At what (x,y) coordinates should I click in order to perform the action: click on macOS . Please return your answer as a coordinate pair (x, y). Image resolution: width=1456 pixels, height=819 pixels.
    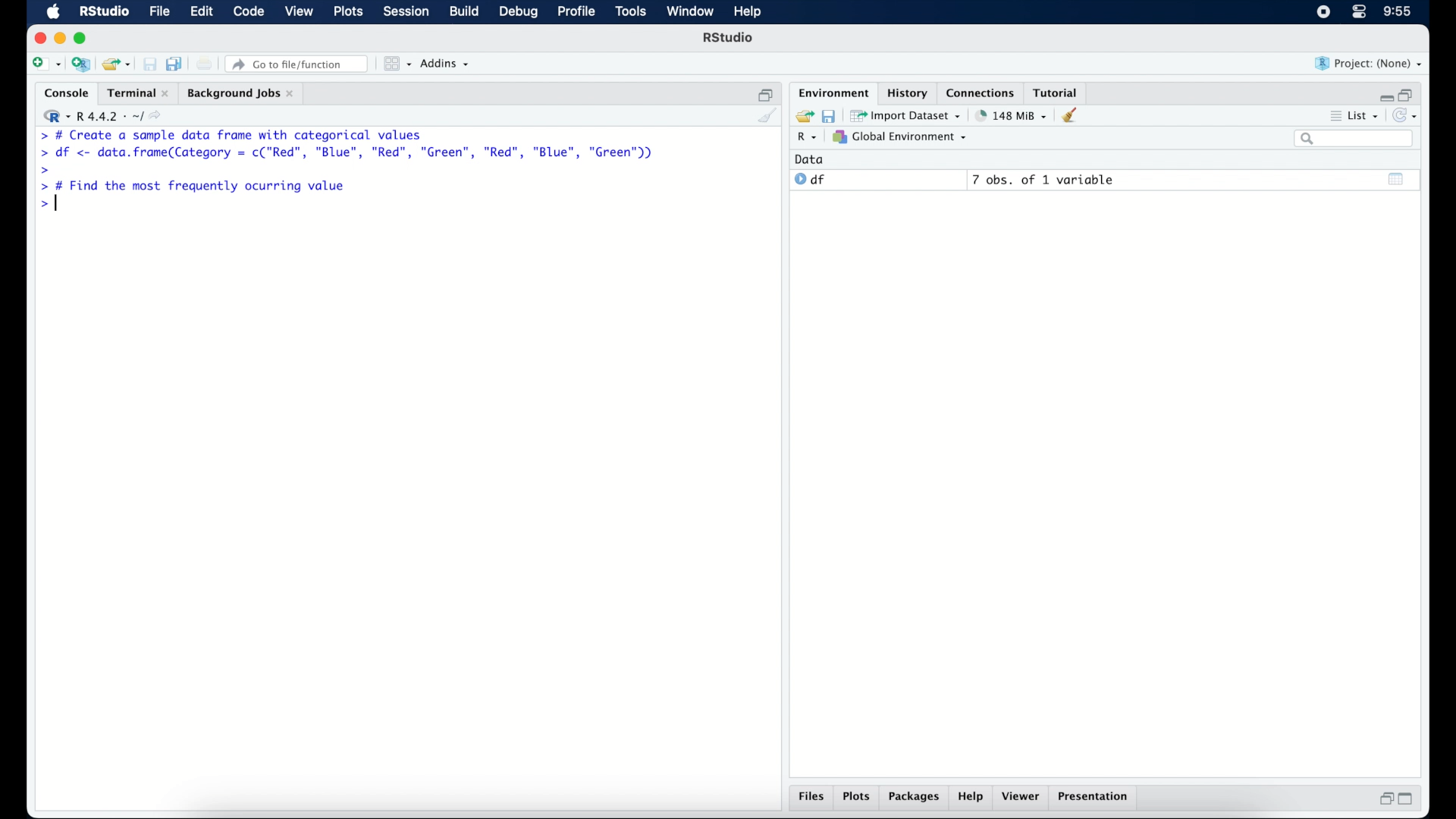
    Looking at the image, I should click on (53, 12).